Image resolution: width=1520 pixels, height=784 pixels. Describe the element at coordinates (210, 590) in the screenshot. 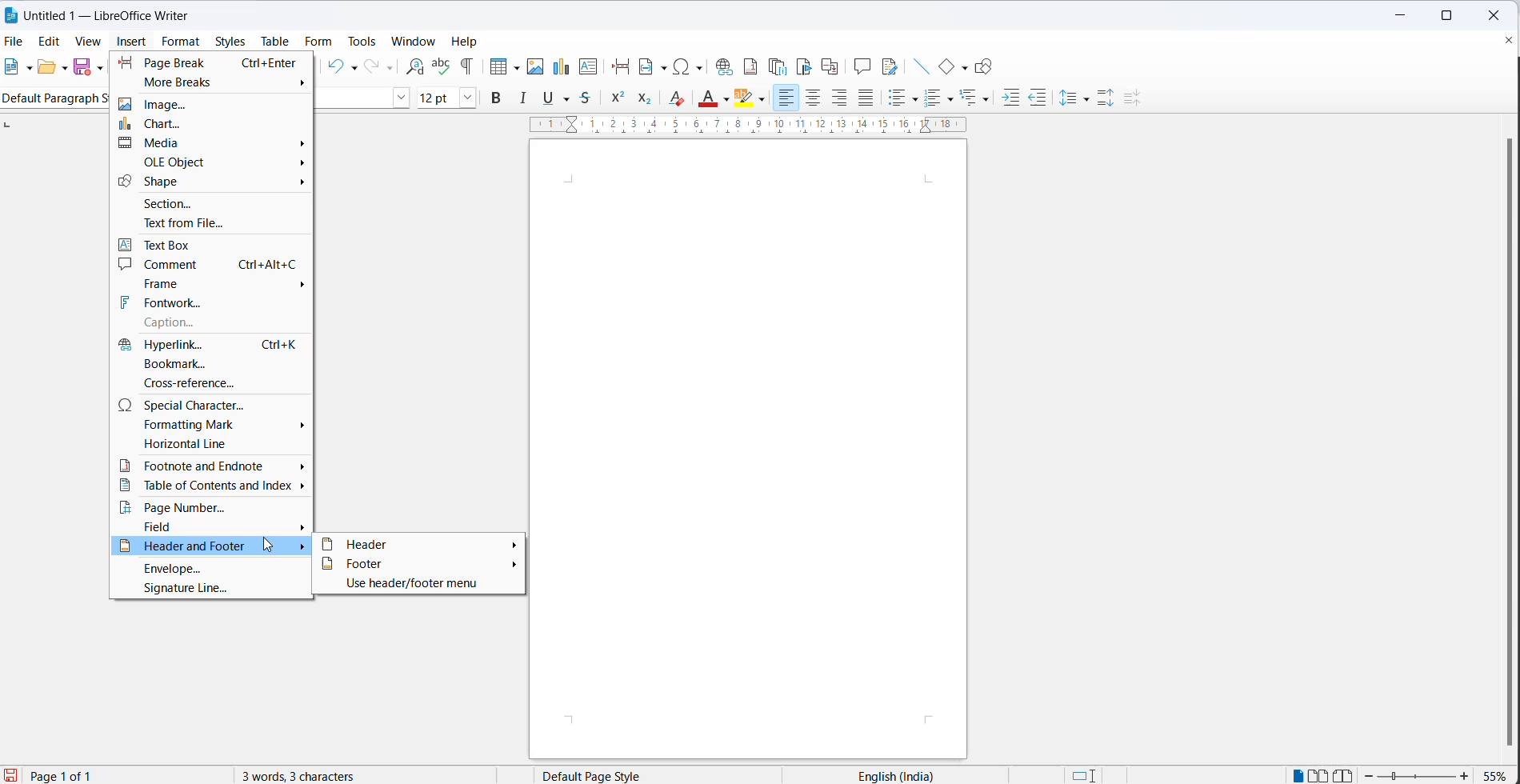

I see `signature line` at that location.